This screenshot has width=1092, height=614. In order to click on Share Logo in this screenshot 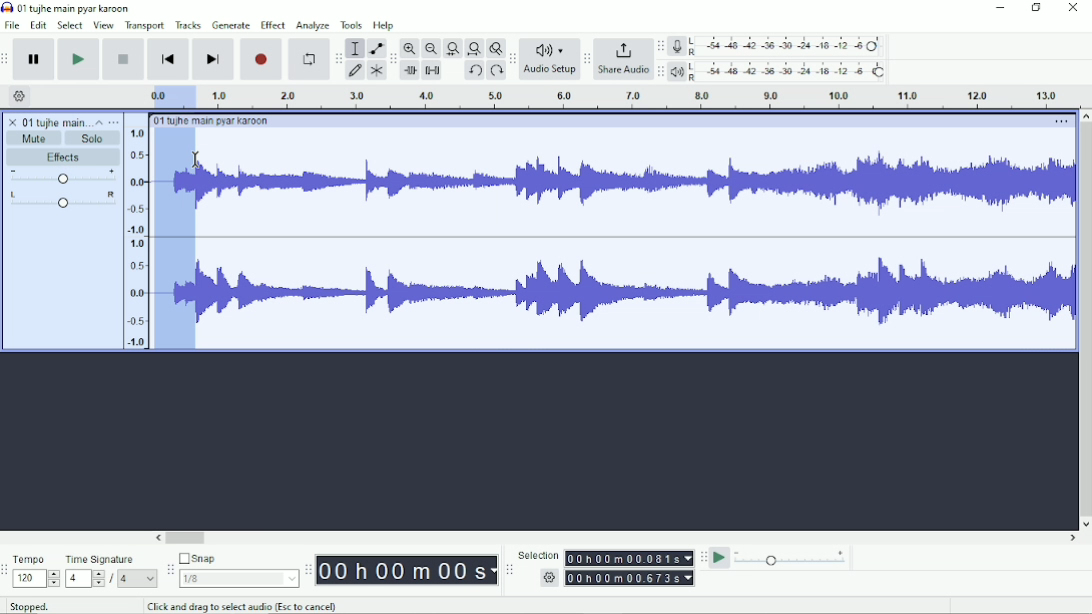, I will do `click(621, 49)`.